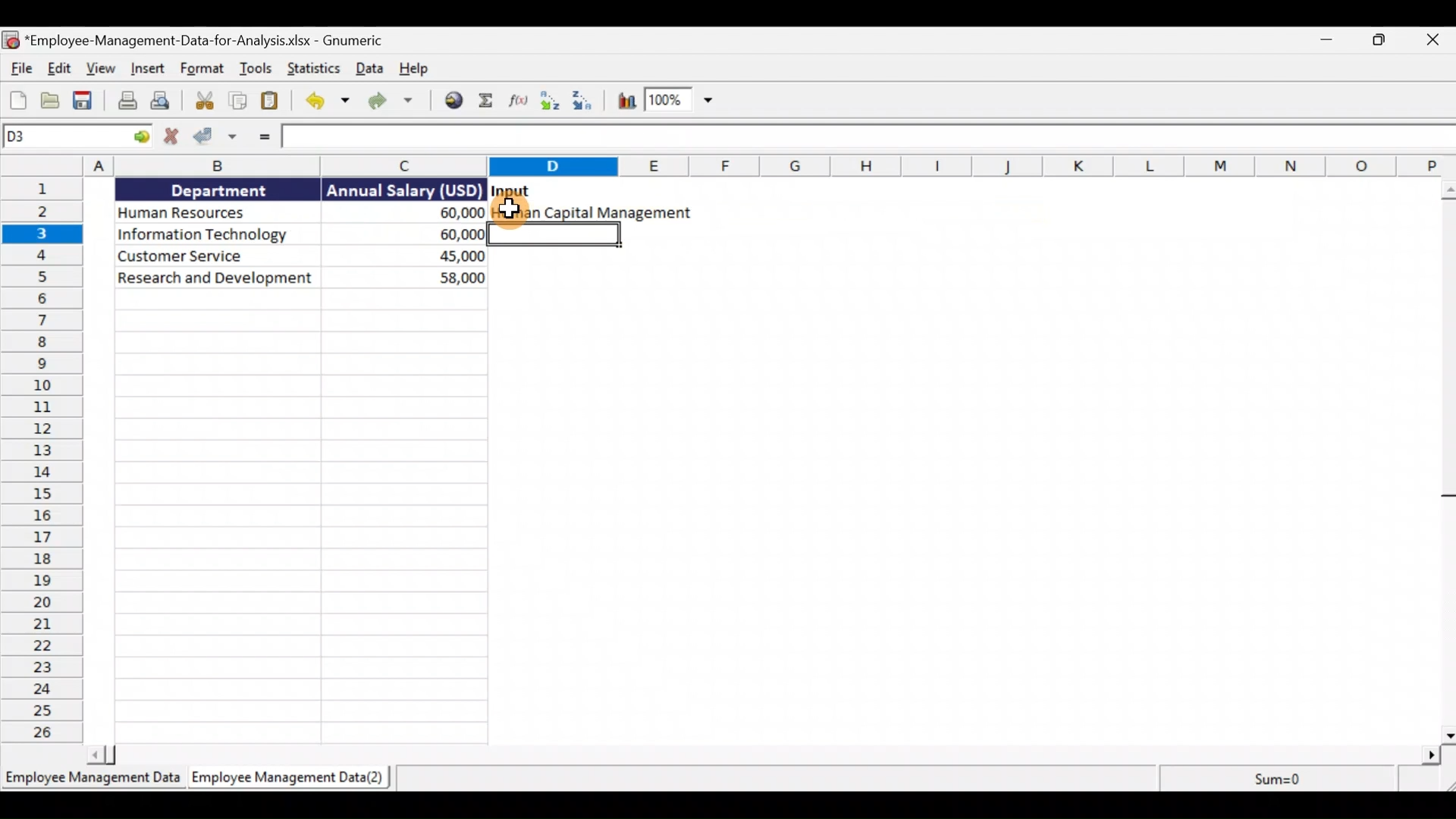 This screenshot has width=1456, height=819. Describe the element at coordinates (84, 102) in the screenshot. I see `Save the current workbook` at that location.